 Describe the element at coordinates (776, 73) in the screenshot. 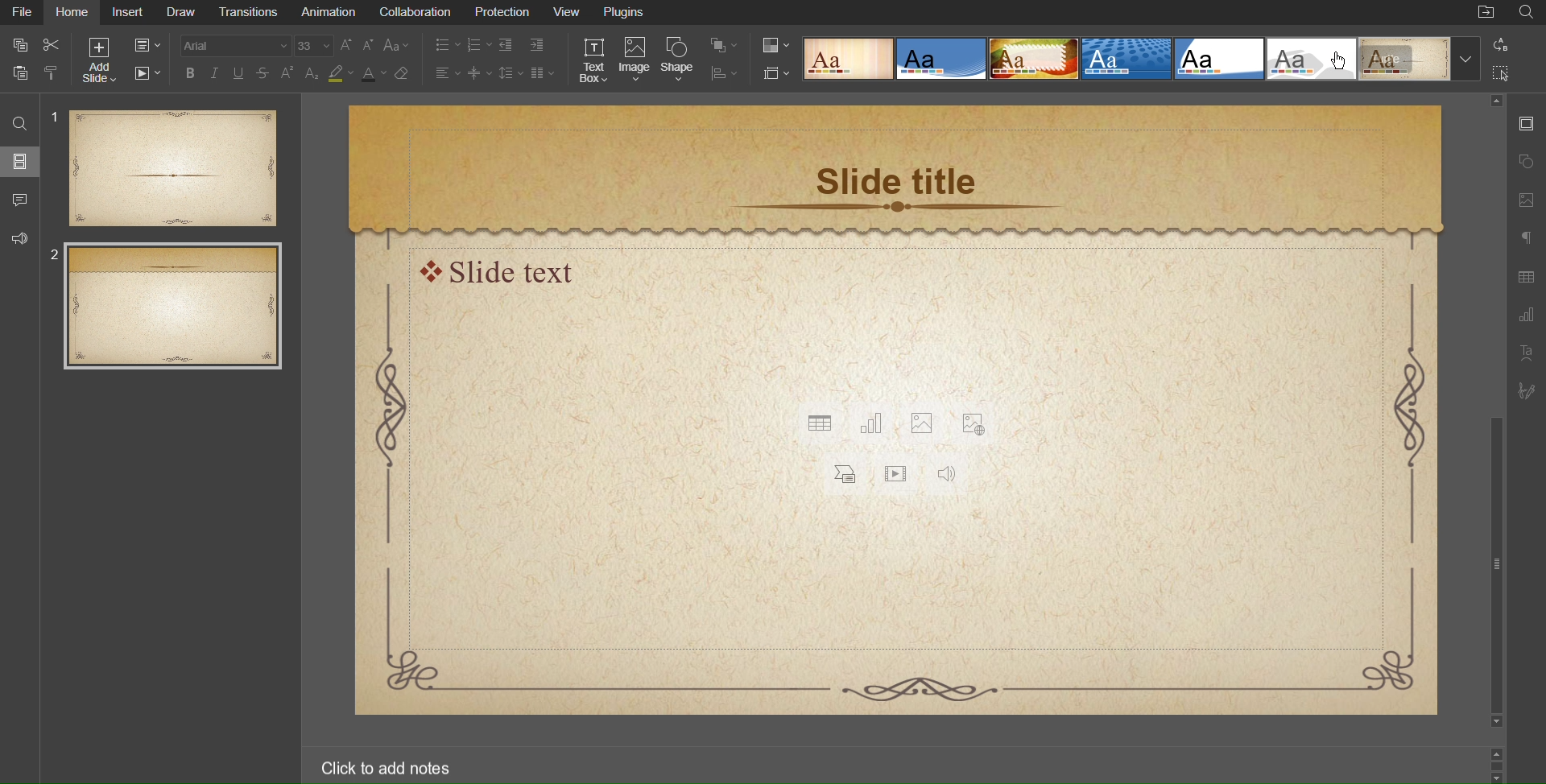

I see `Slide Settings` at that location.